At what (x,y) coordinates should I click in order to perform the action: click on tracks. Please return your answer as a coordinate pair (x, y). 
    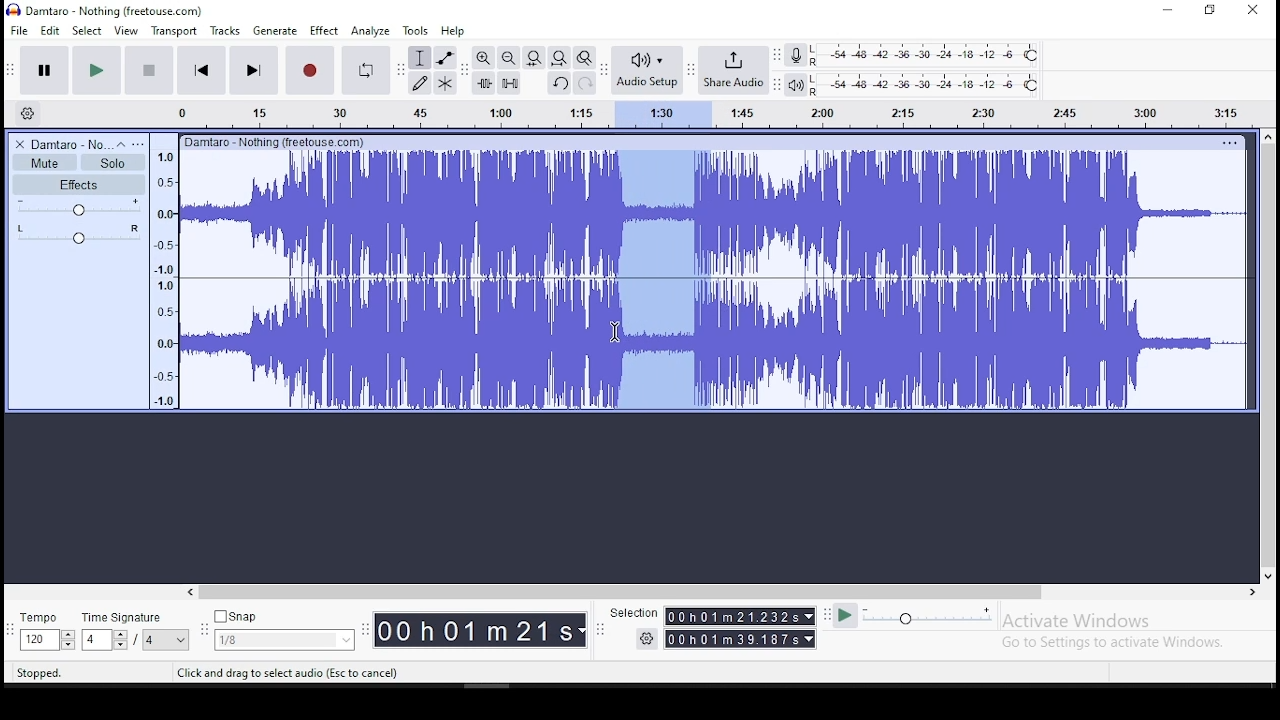
    Looking at the image, I should click on (227, 31).